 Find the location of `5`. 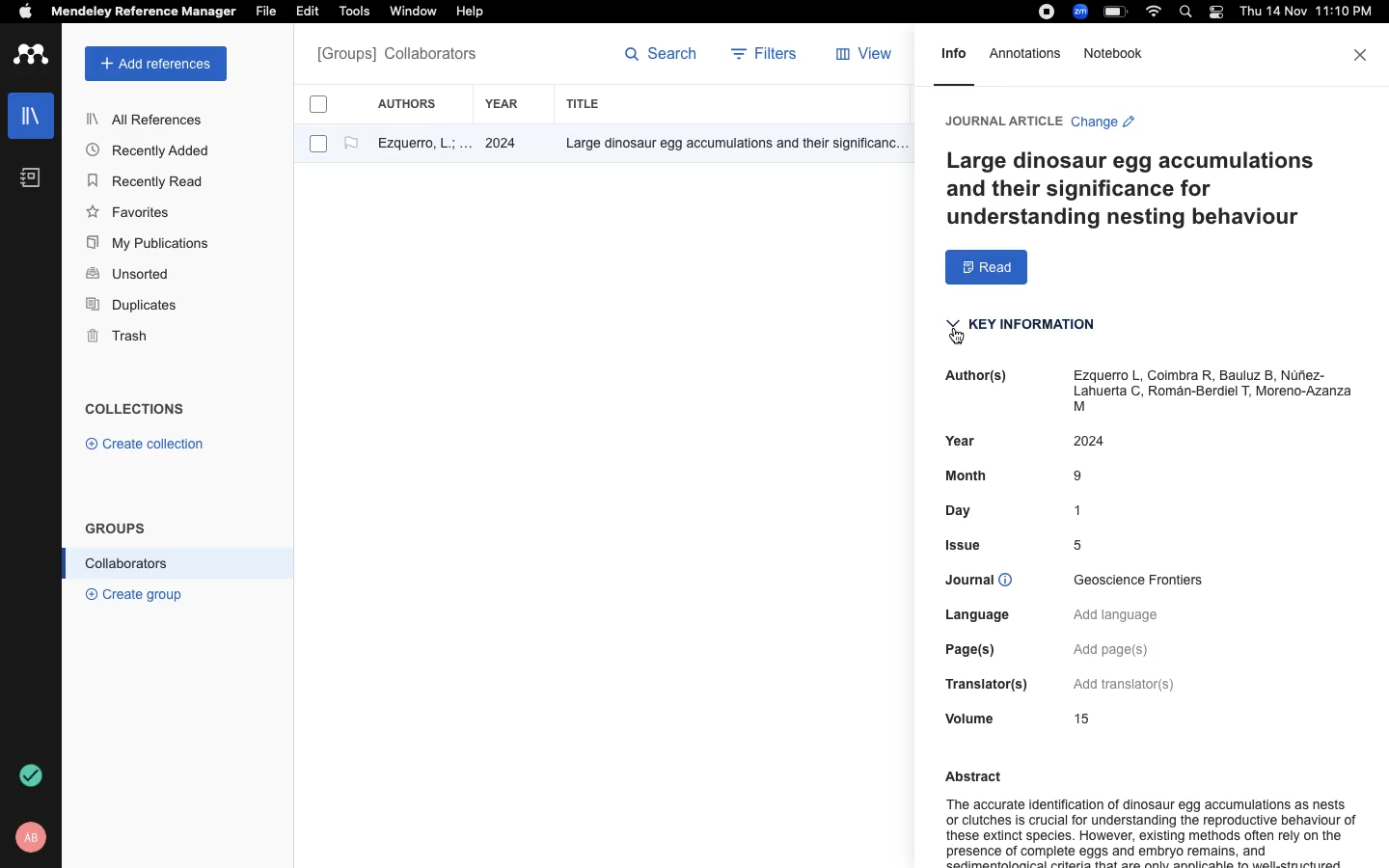

5 is located at coordinates (1085, 546).